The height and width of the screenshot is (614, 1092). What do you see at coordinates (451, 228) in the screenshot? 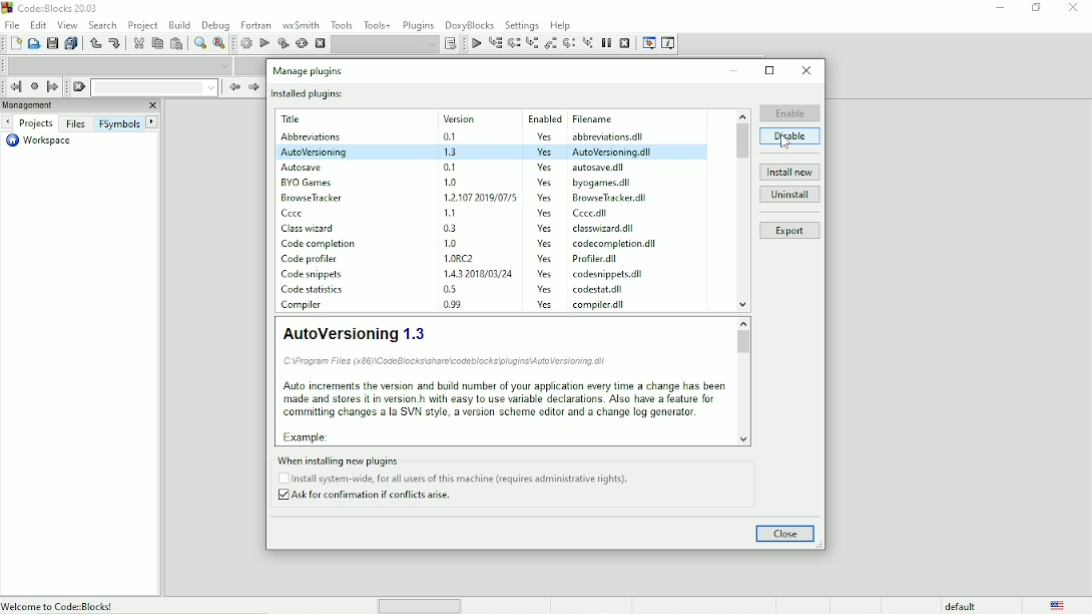
I see `0.3` at bounding box center [451, 228].